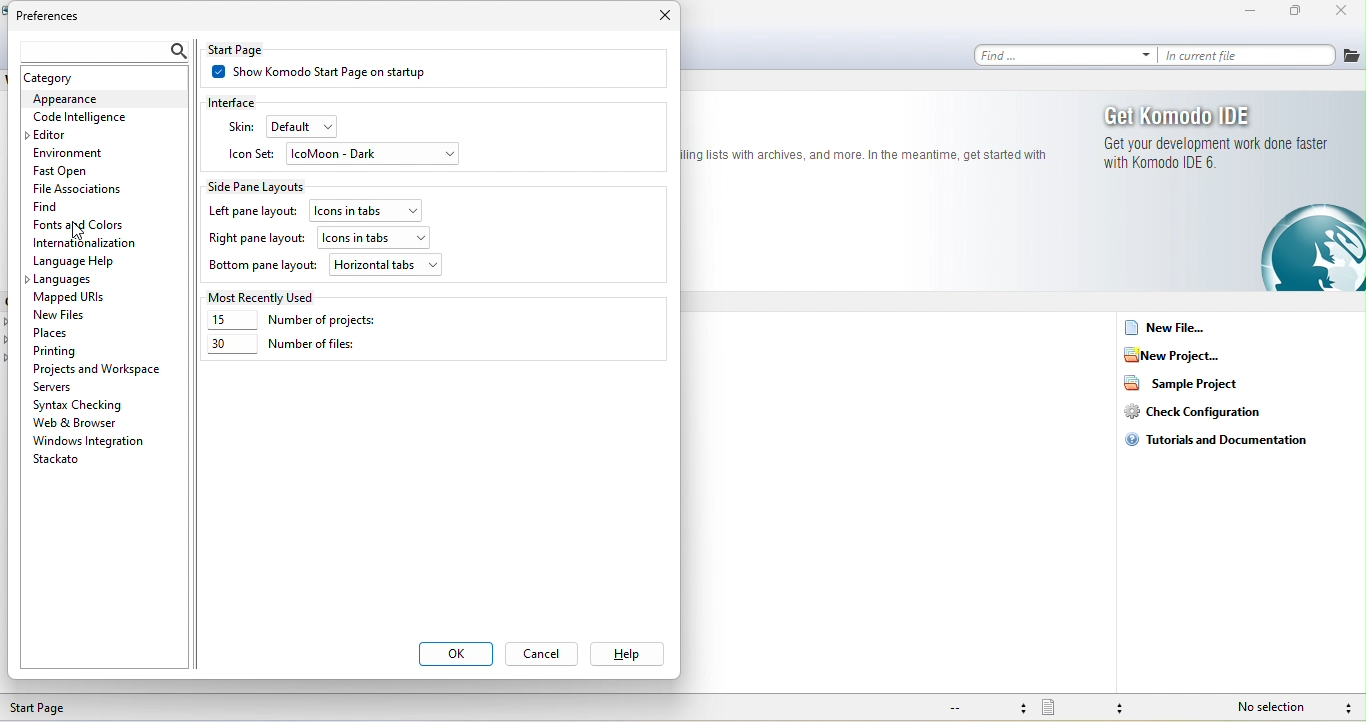  Describe the element at coordinates (1288, 12) in the screenshot. I see `maximize` at that location.